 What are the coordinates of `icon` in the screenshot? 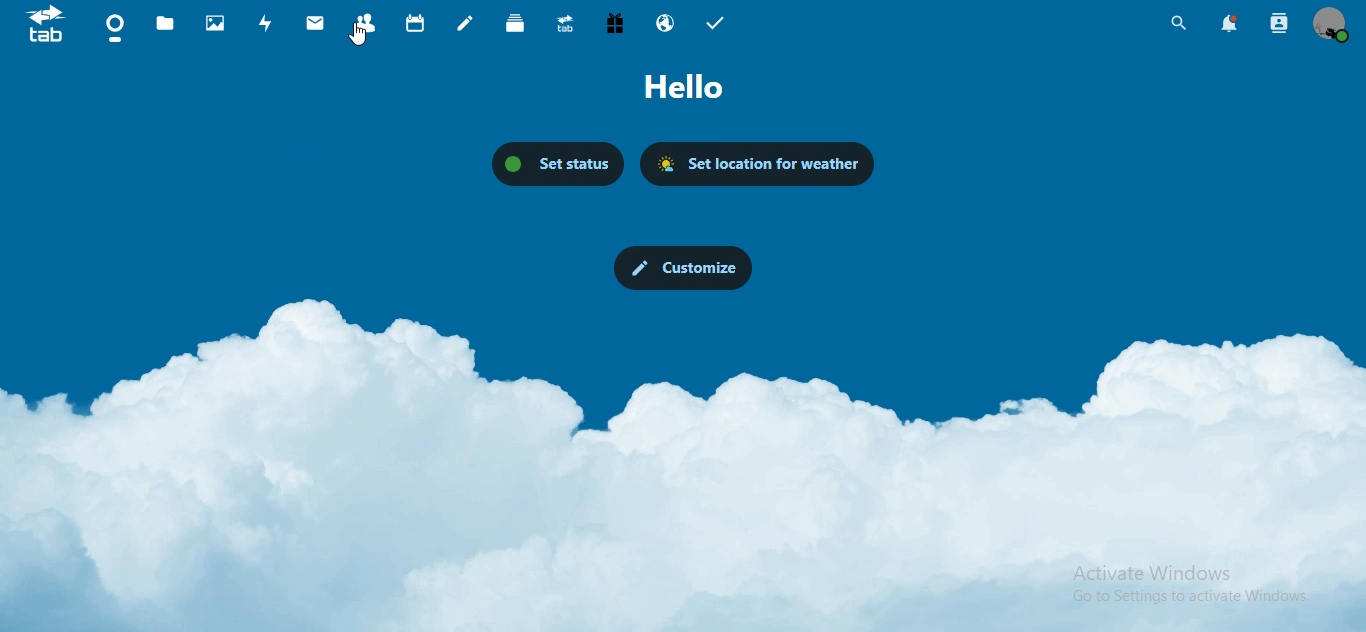 It's located at (46, 27).